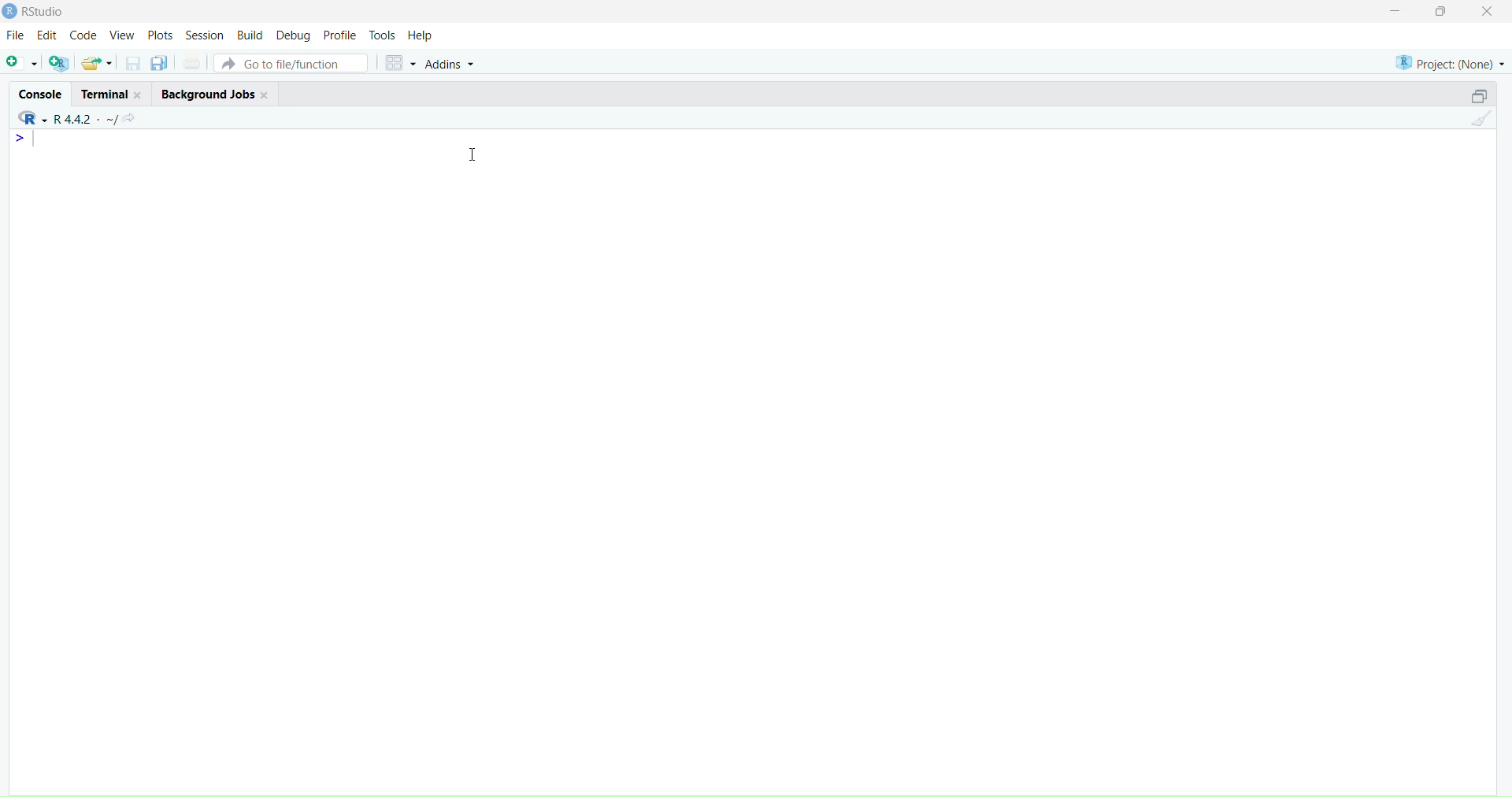  Describe the element at coordinates (1440, 11) in the screenshot. I see `maiximise` at that location.